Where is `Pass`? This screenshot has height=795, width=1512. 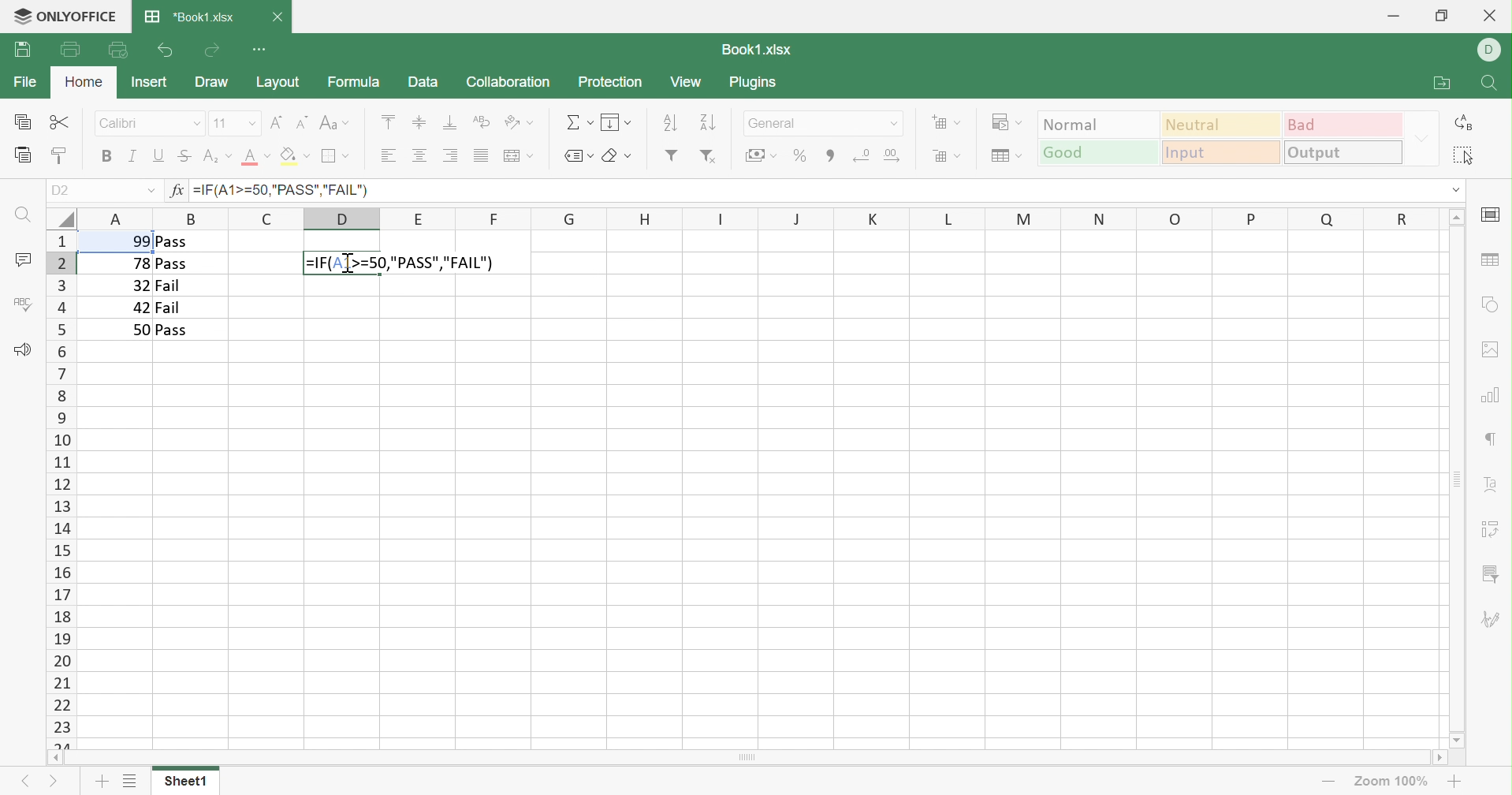
Pass is located at coordinates (172, 265).